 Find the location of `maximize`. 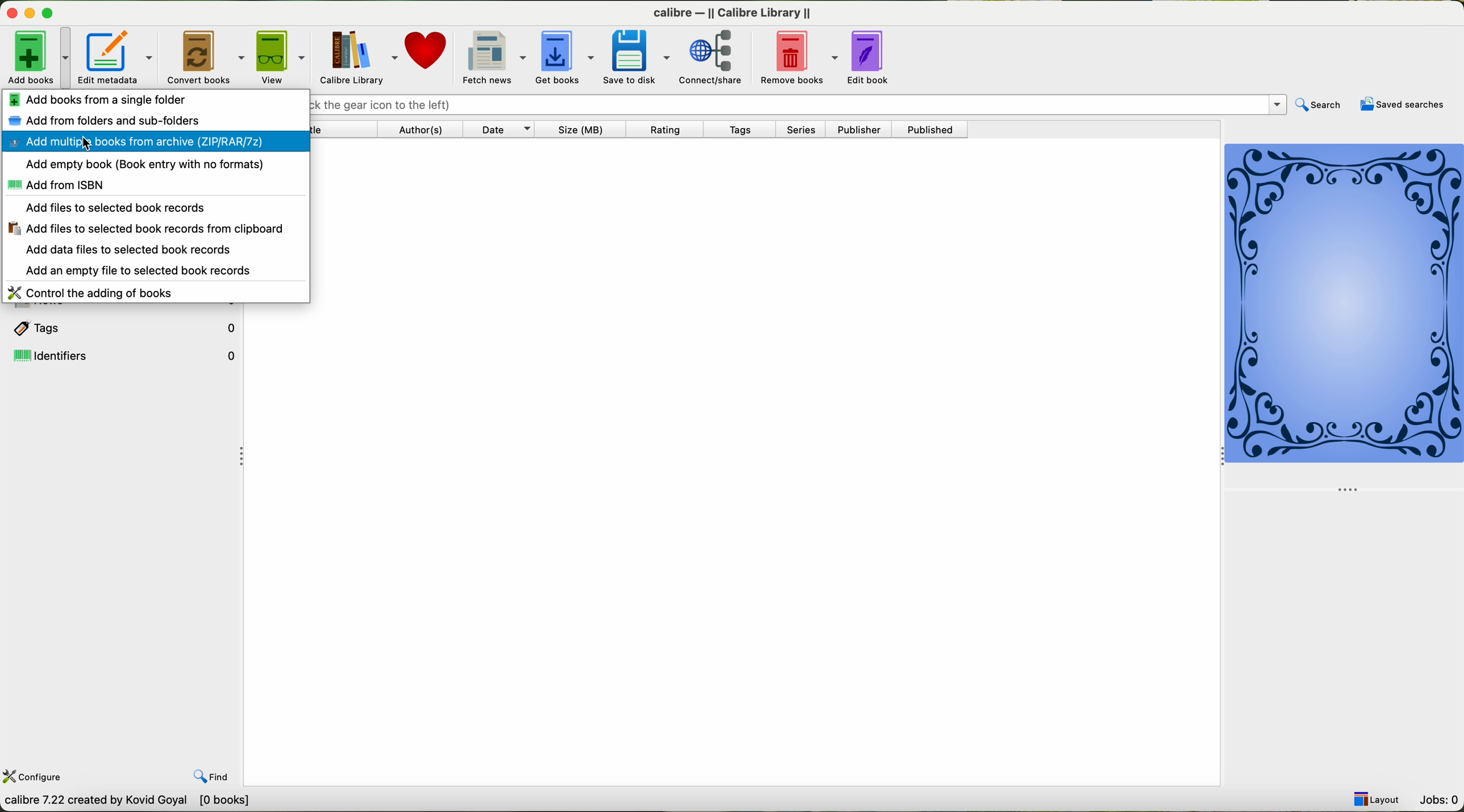

maximize is located at coordinates (50, 13).